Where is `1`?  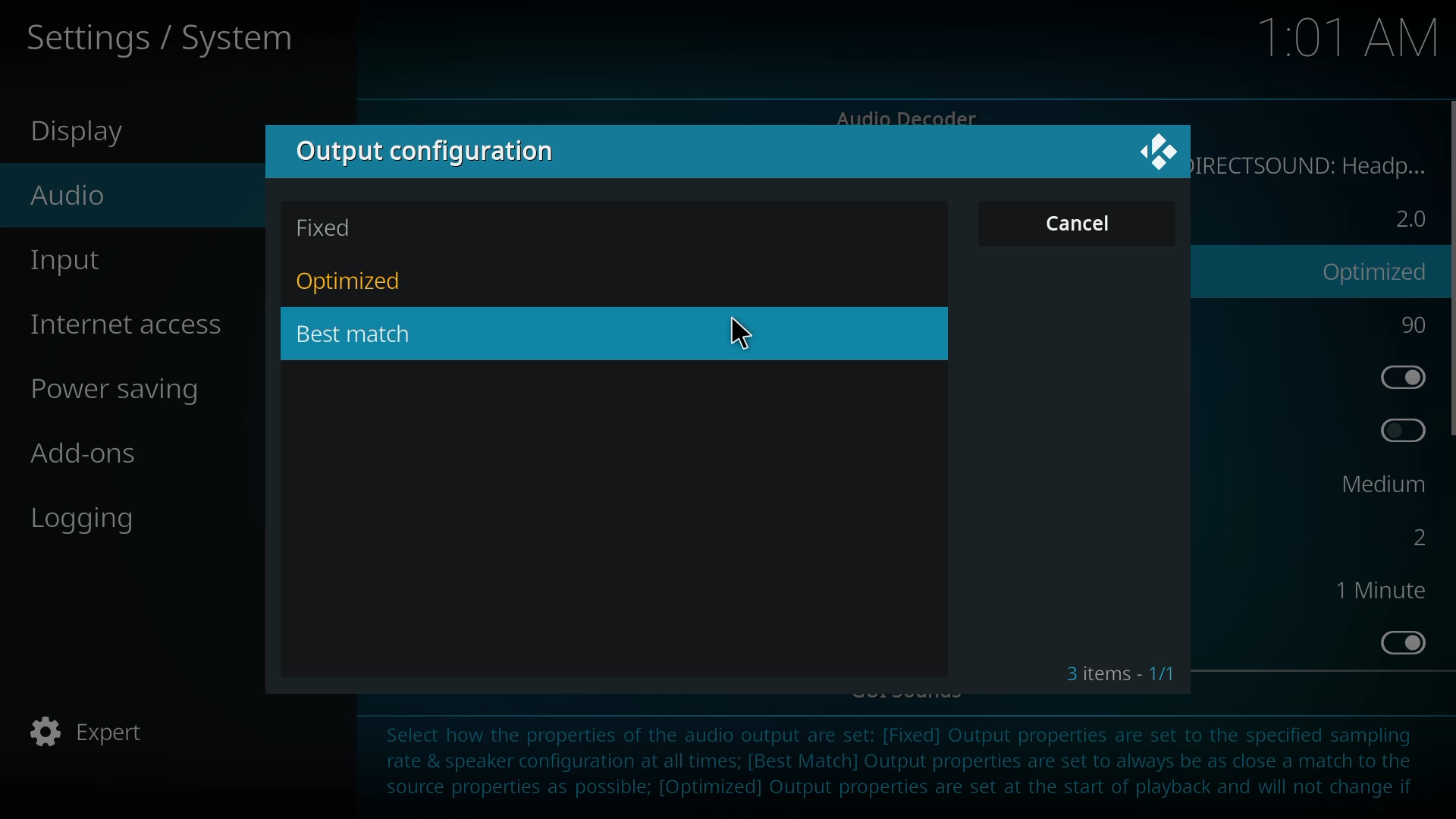
1 is located at coordinates (1376, 589).